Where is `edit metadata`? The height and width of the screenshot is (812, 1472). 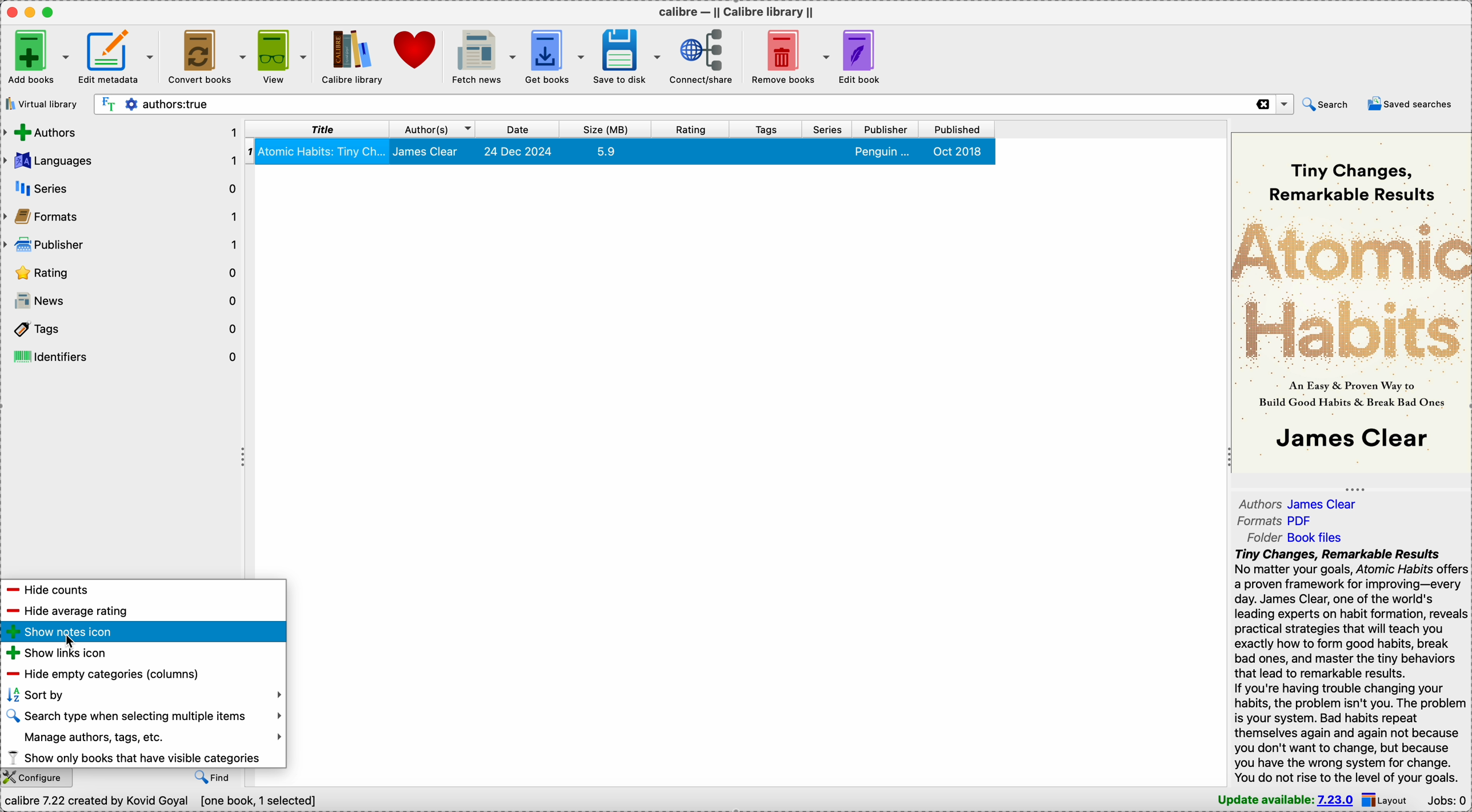 edit metadata is located at coordinates (116, 55).